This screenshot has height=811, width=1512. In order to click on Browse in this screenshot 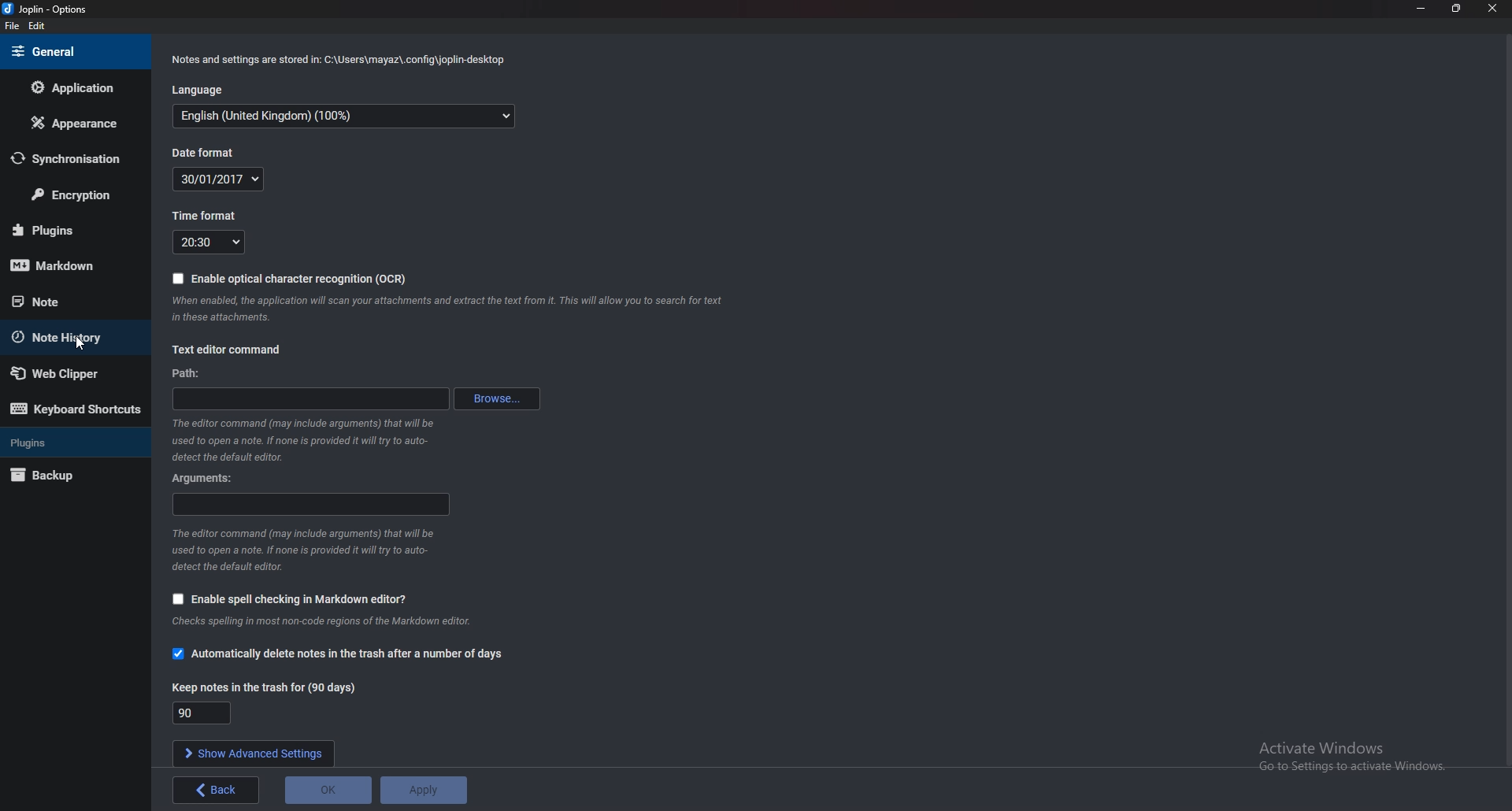, I will do `click(498, 399)`.